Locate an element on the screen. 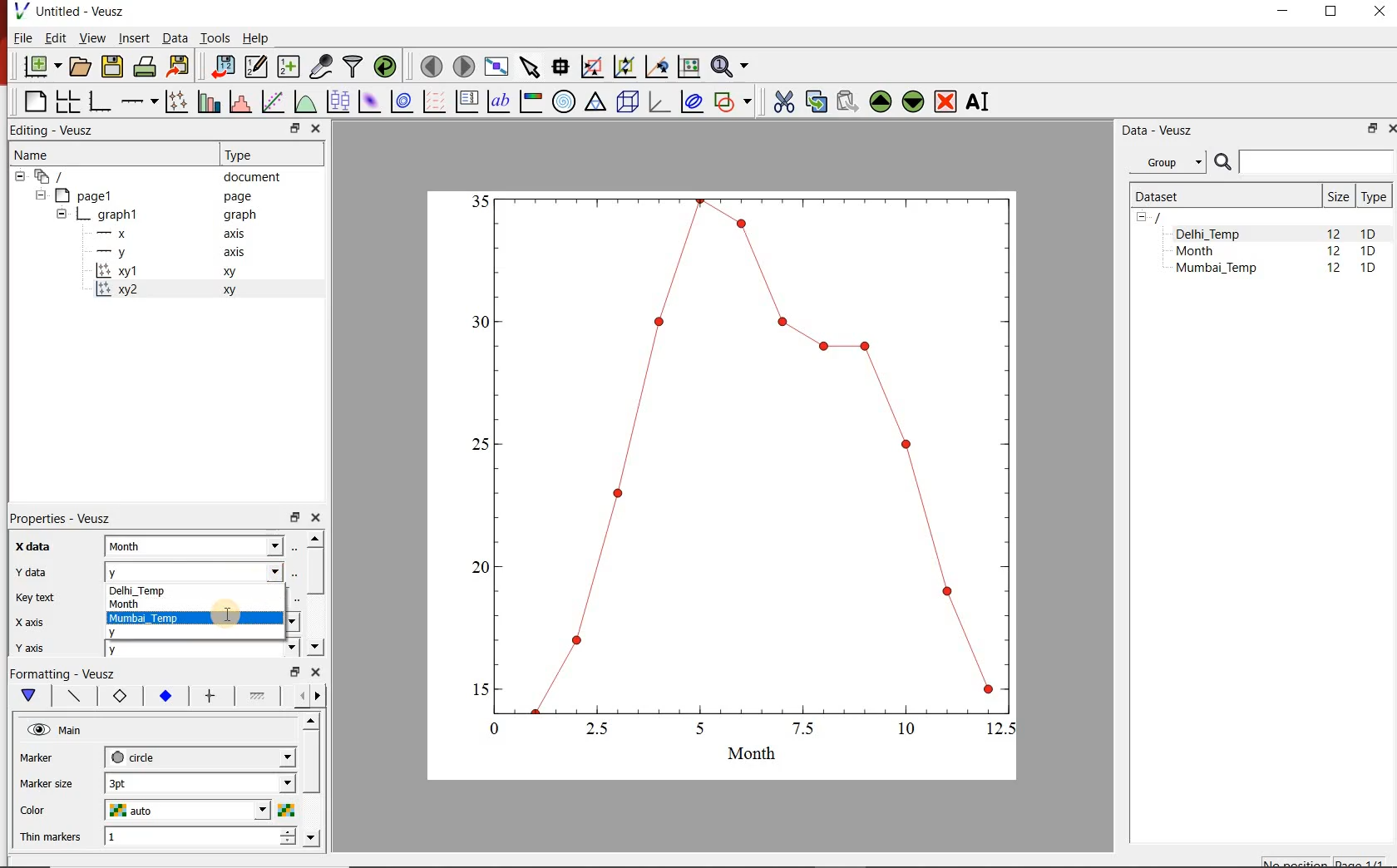 The width and height of the screenshot is (1397, 868). Grid lines is located at coordinates (310, 698).